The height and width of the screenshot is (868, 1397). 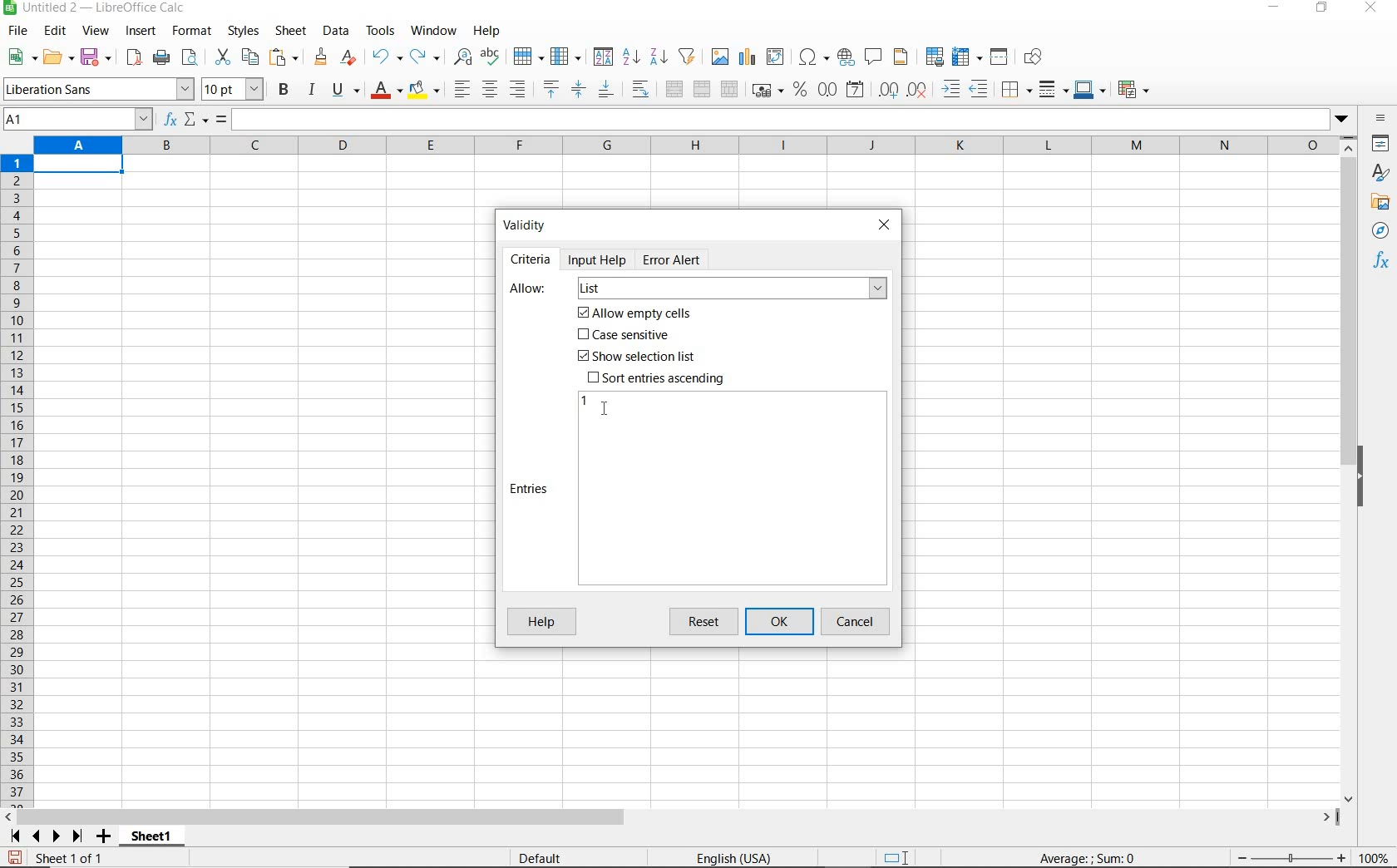 I want to click on gallery, so click(x=1383, y=203).